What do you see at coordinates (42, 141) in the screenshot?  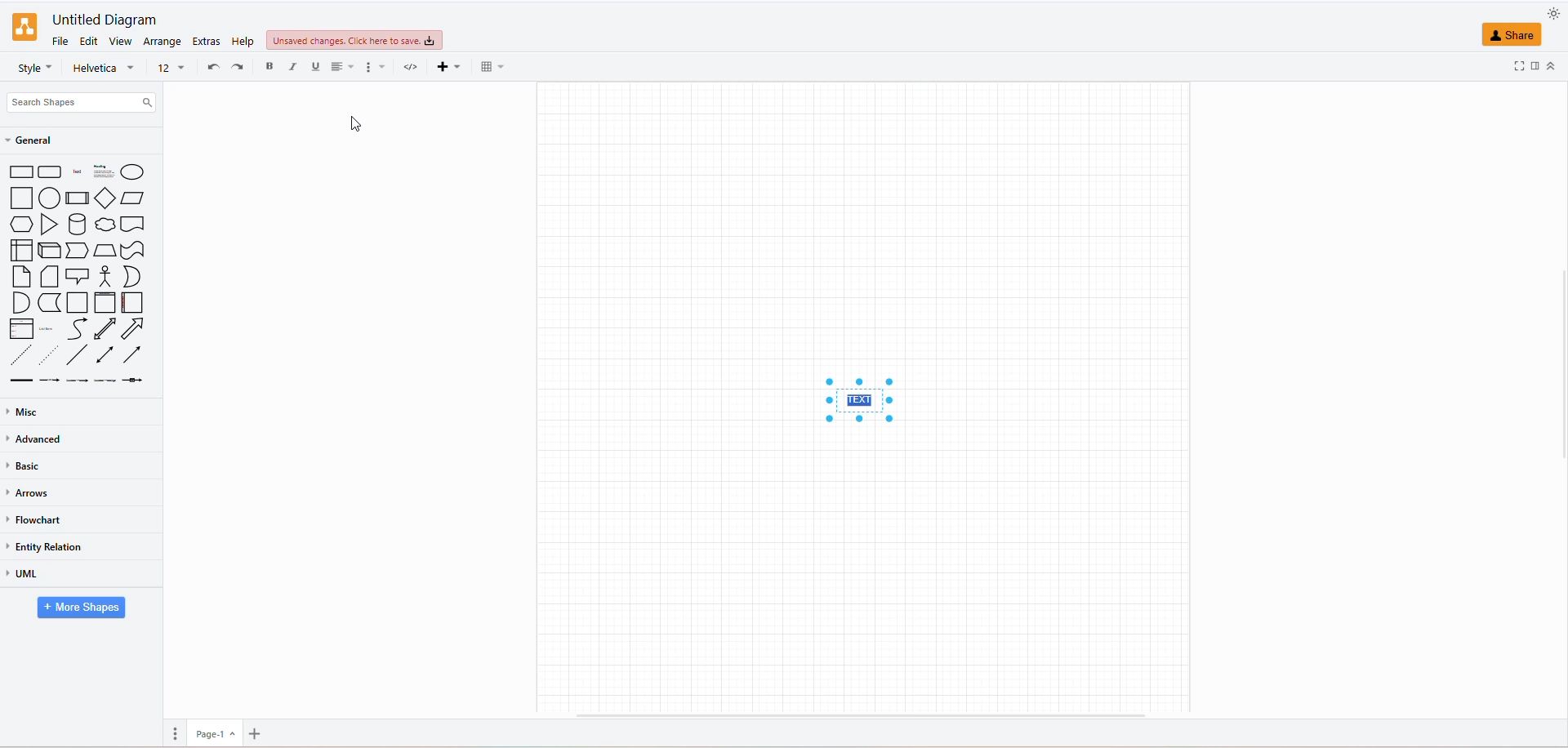 I see `general` at bounding box center [42, 141].